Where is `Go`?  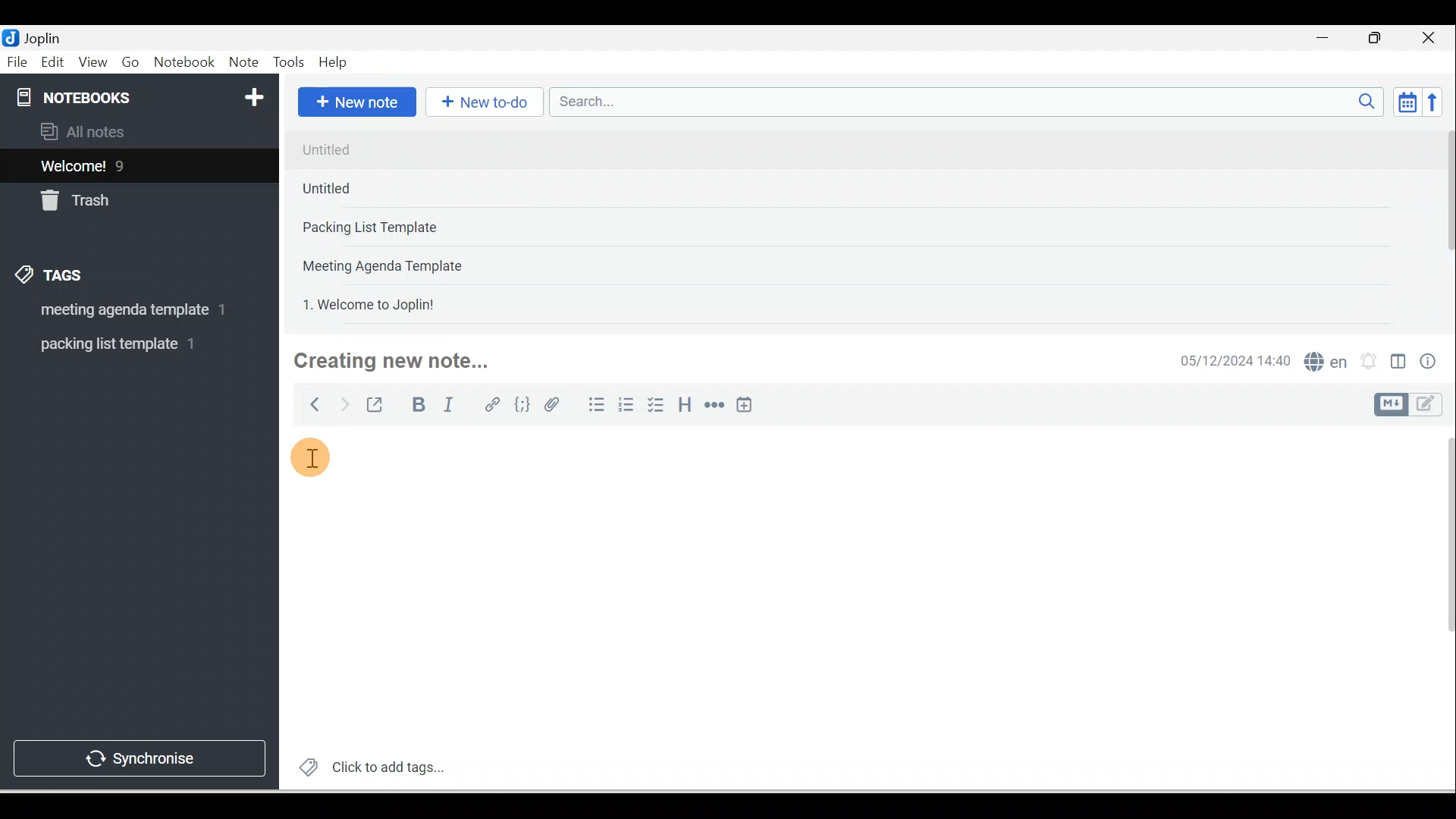 Go is located at coordinates (133, 63).